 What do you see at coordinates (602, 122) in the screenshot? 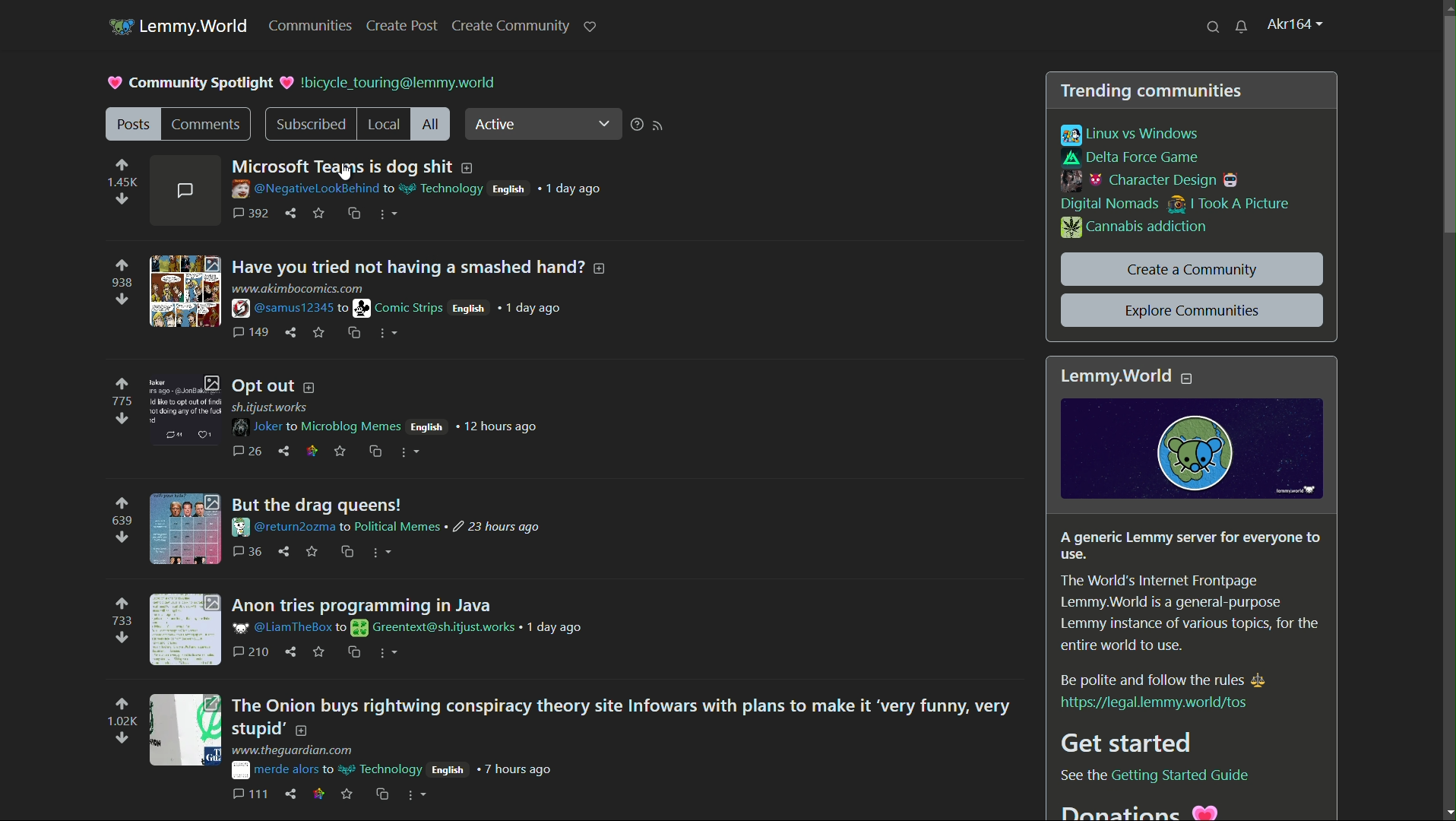
I see `dropdown` at bounding box center [602, 122].